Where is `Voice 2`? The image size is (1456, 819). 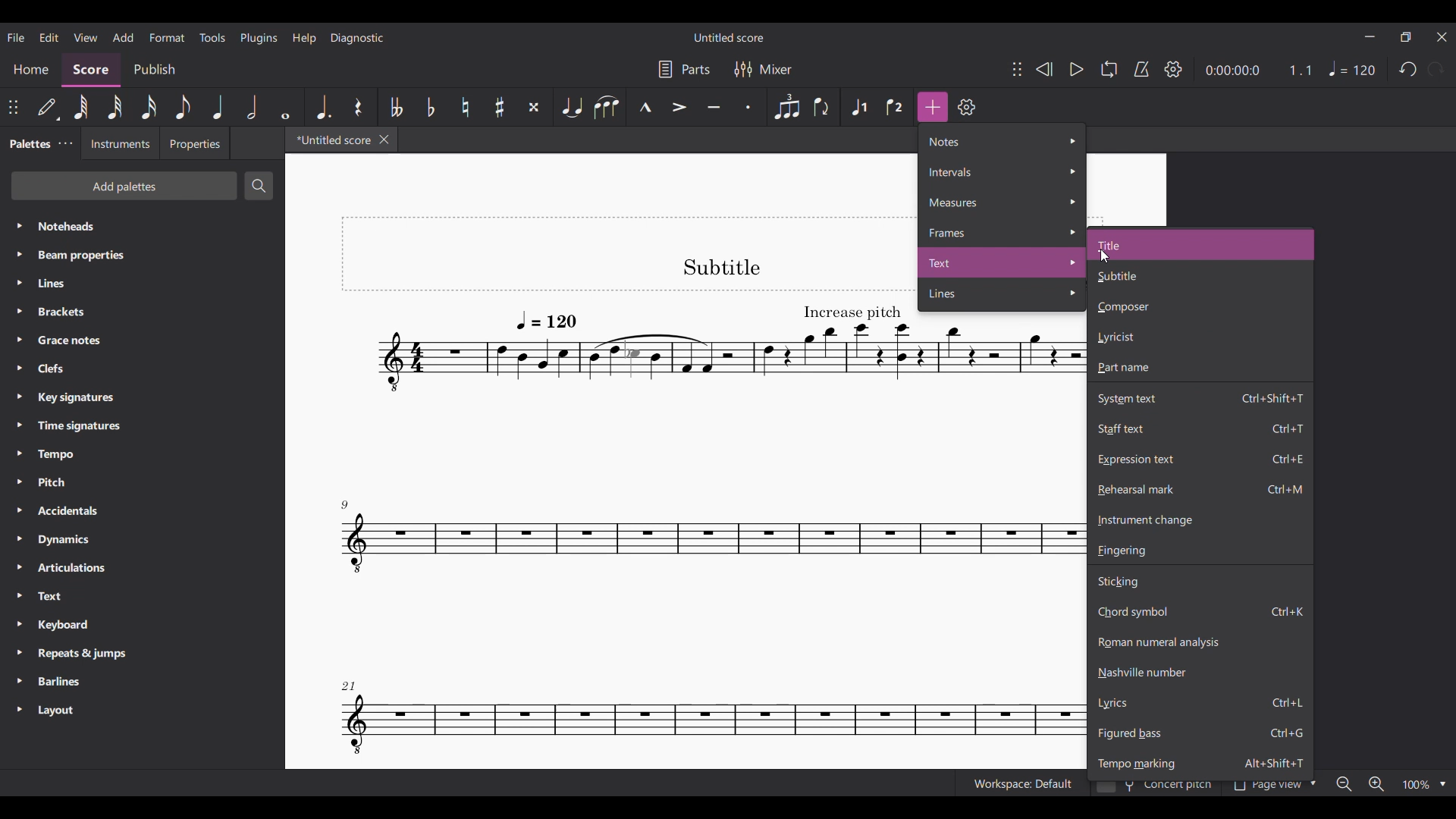 Voice 2 is located at coordinates (896, 107).